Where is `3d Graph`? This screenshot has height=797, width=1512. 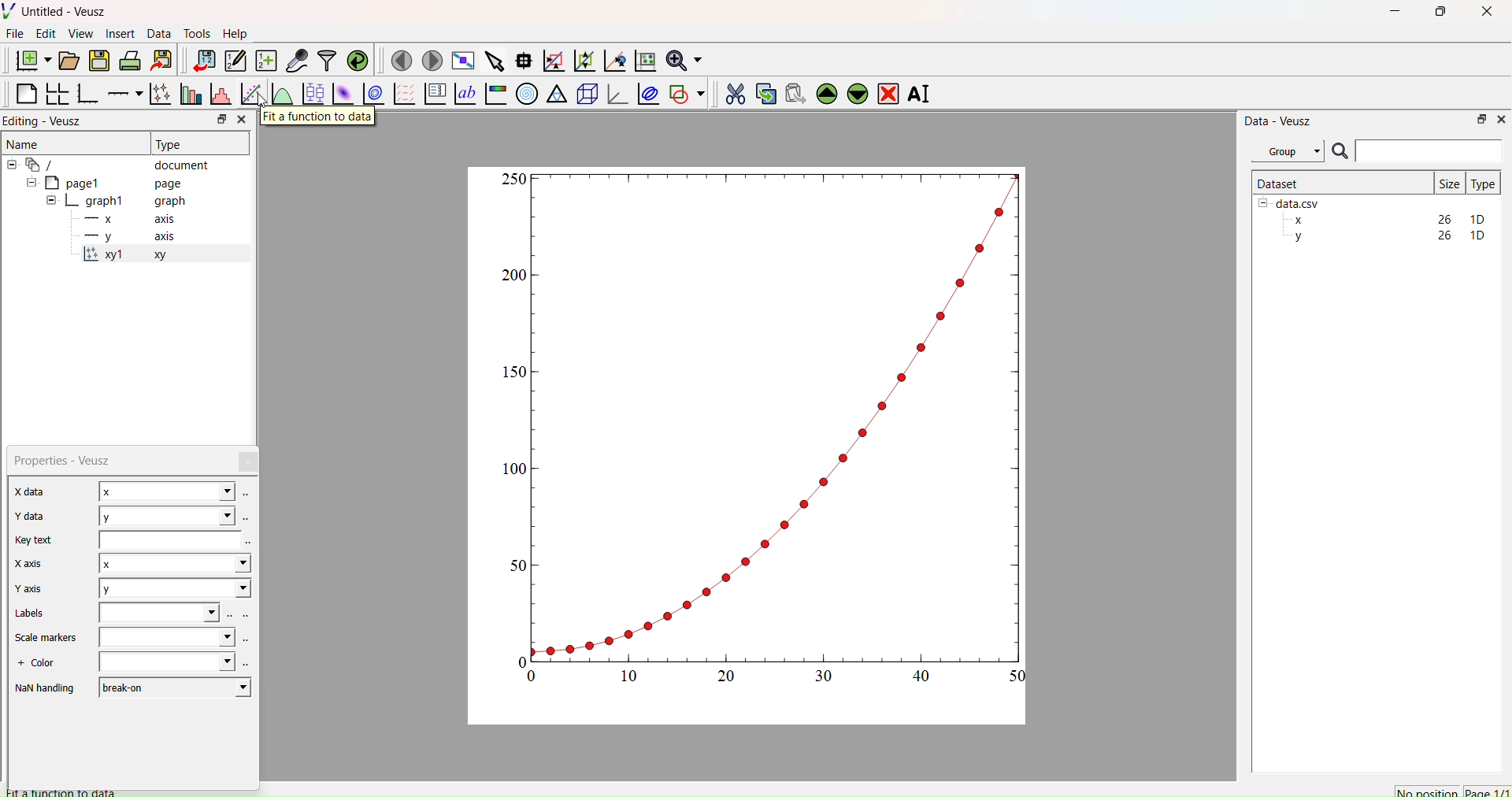 3d Graph is located at coordinates (614, 93).